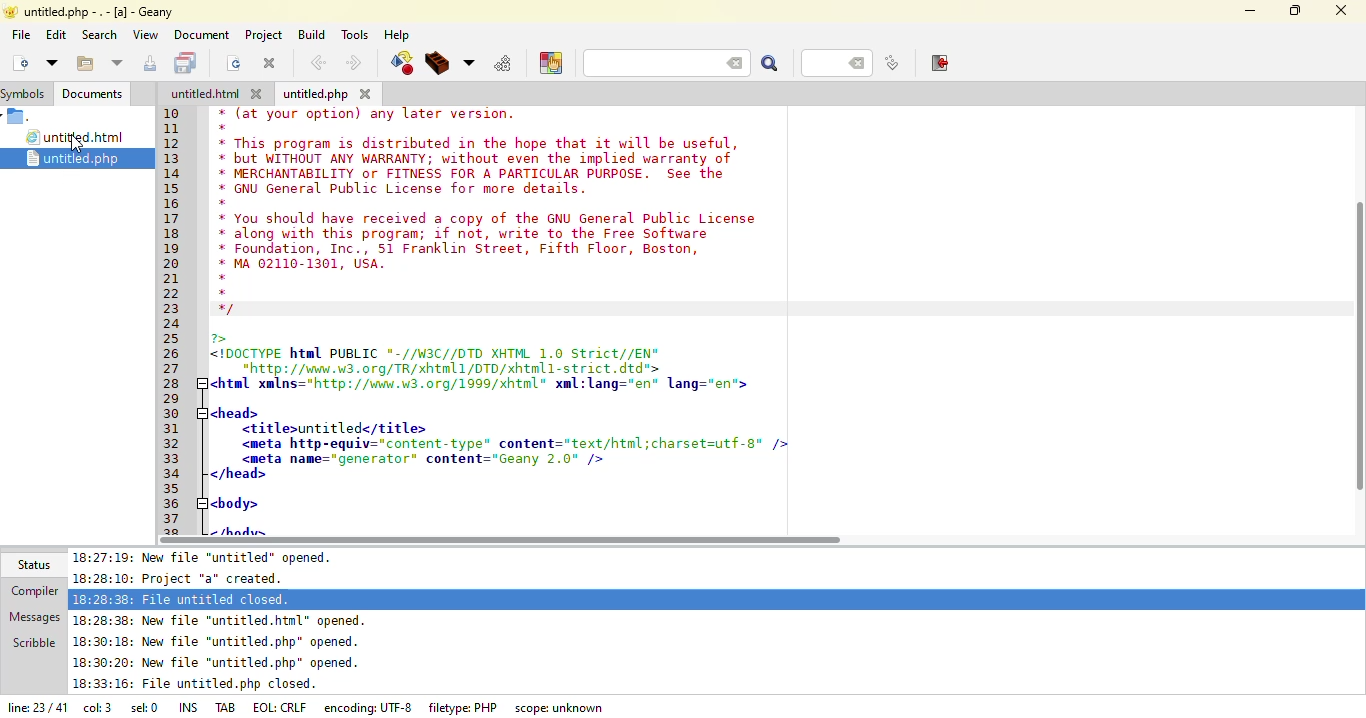 The image size is (1366, 718). What do you see at coordinates (264, 35) in the screenshot?
I see `project` at bounding box center [264, 35].